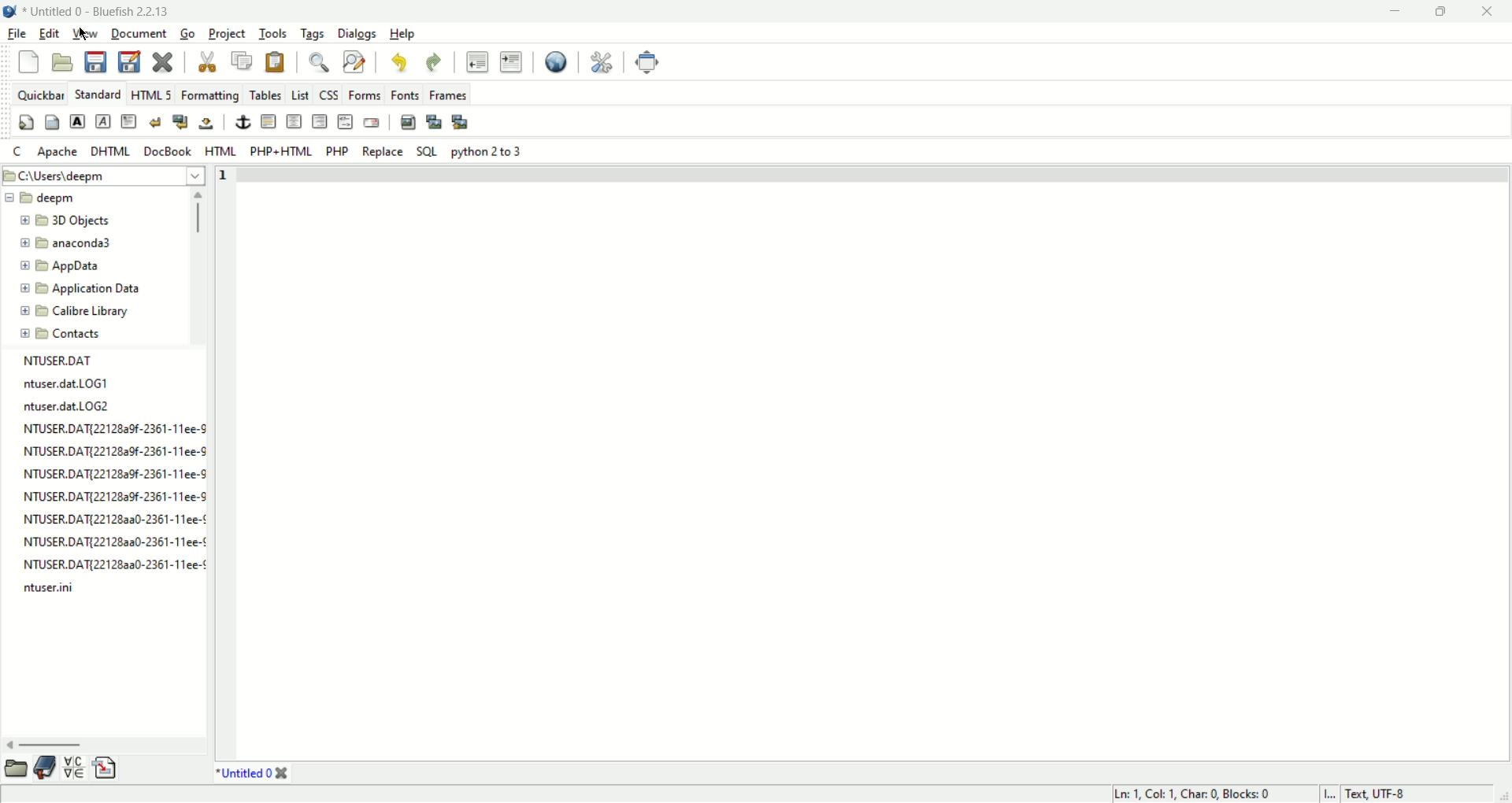 This screenshot has width=1512, height=803. I want to click on SQL, so click(426, 150).